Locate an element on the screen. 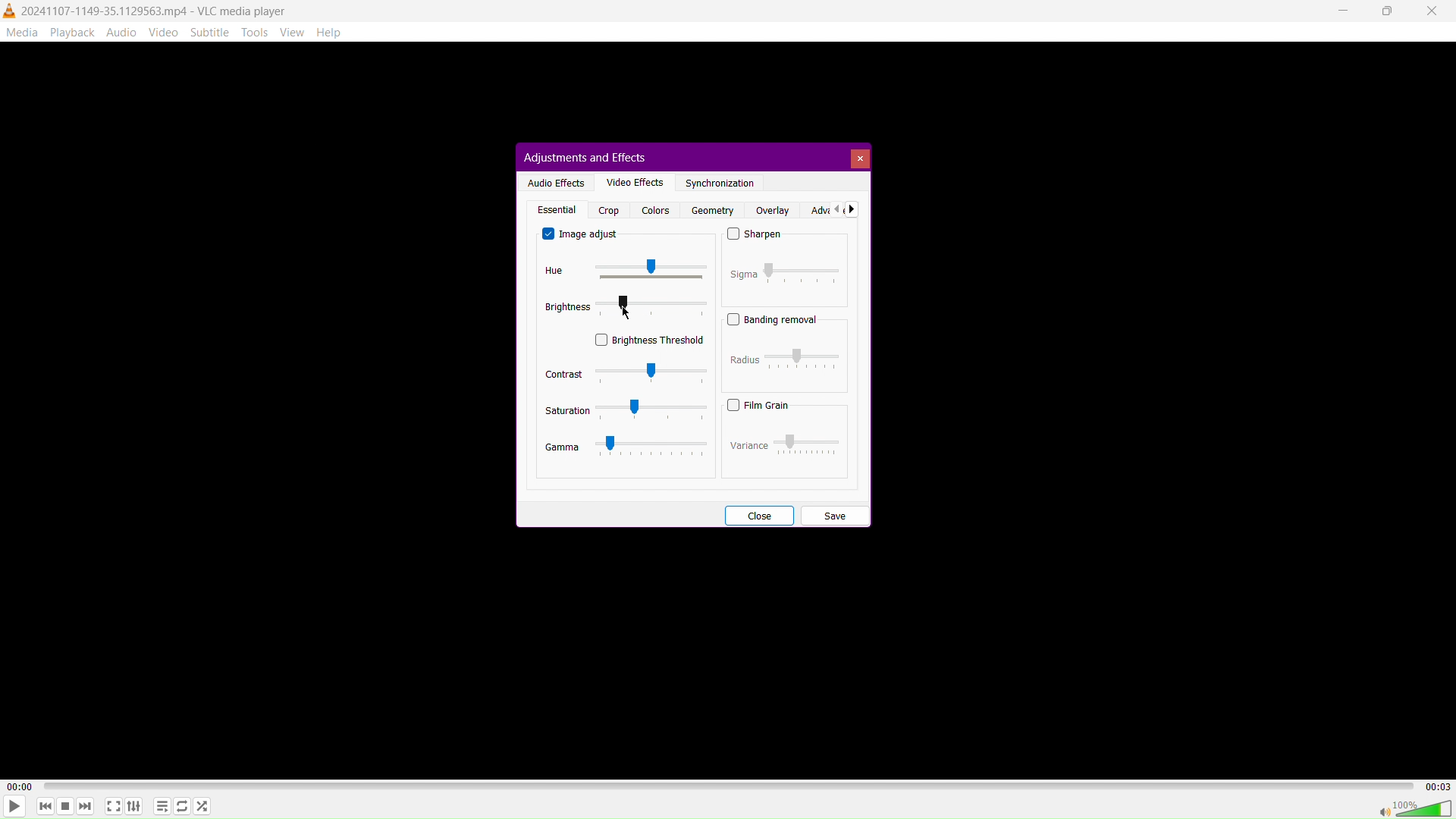 This screenshot has height=819, width=1456. Synchronization is located at coordinates (720, 184).